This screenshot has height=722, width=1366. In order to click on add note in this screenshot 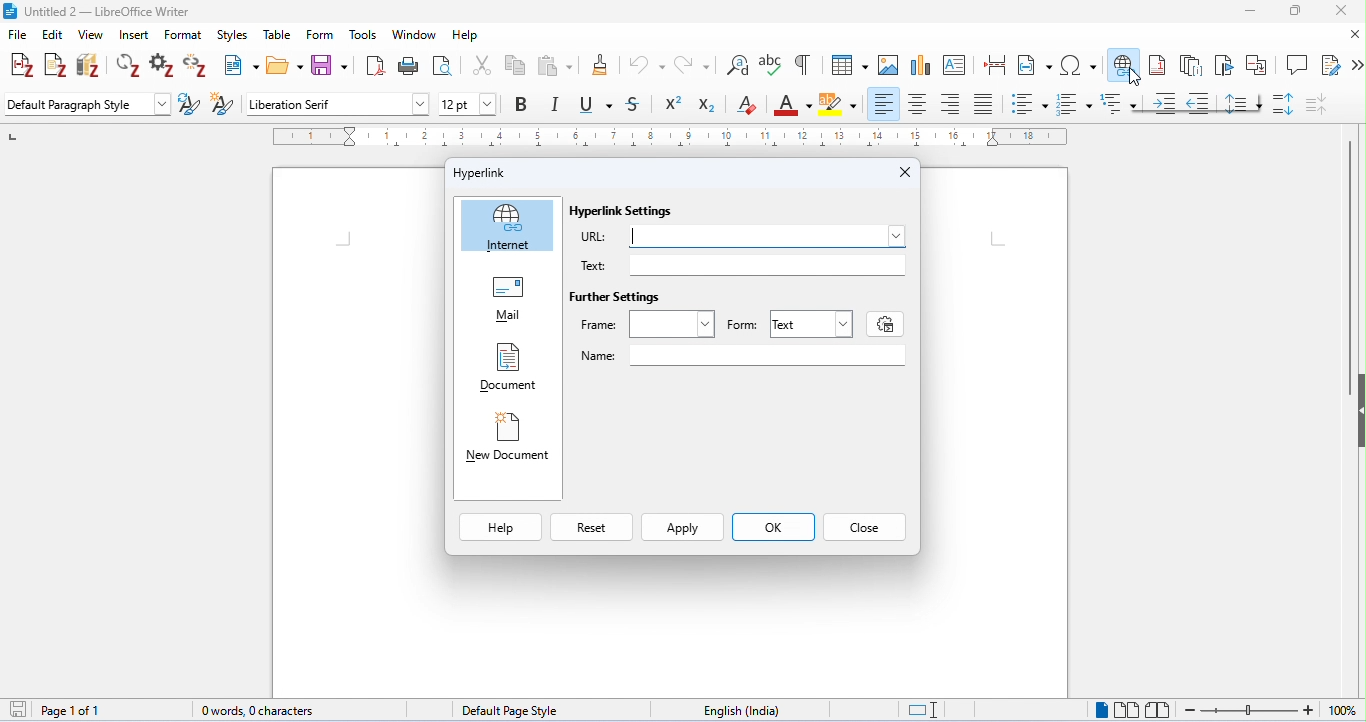, I will do `click(56, 65)`.